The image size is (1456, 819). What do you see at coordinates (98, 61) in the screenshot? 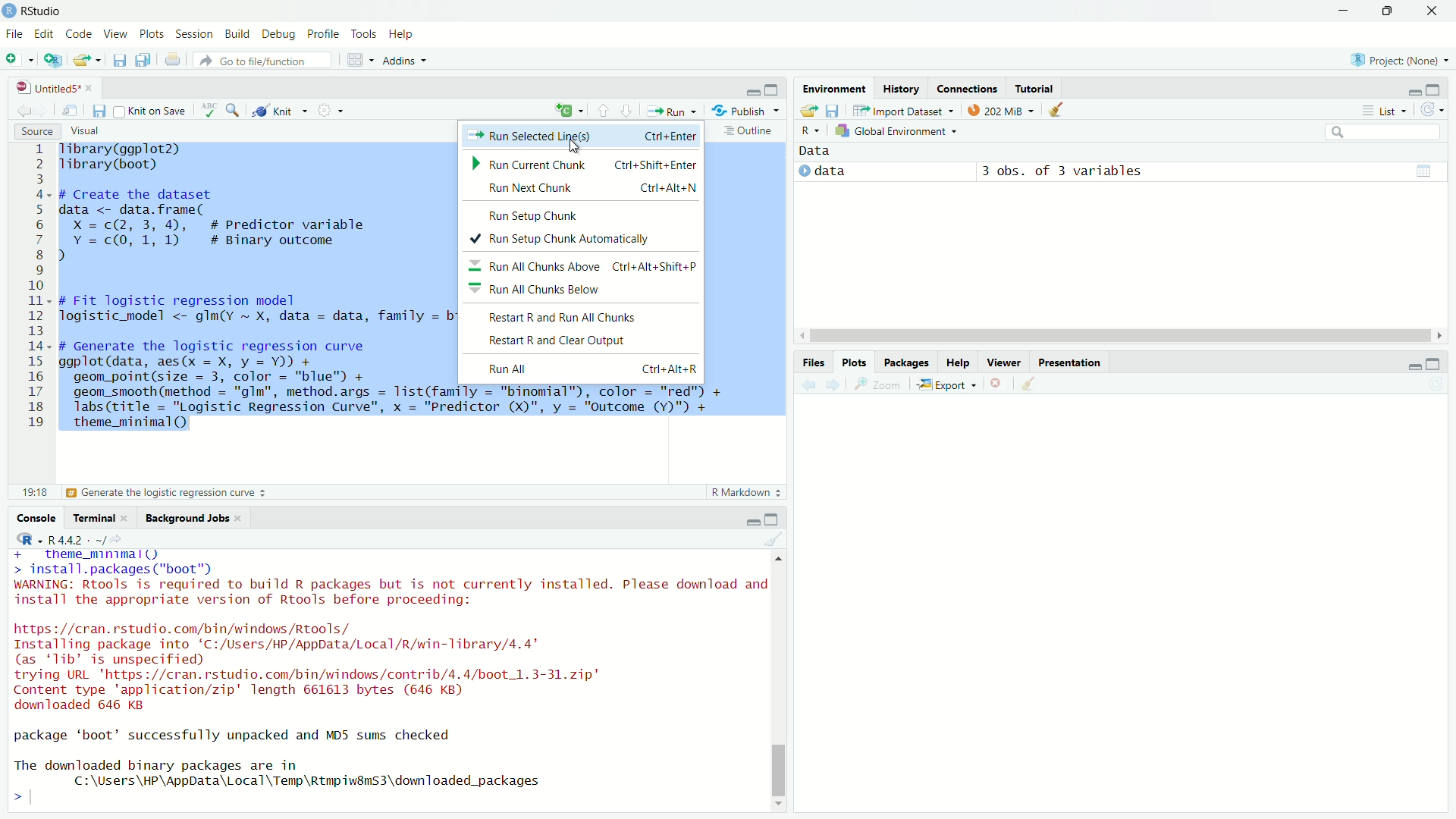
I see `Open recent files` at bounding box center [98, 61].